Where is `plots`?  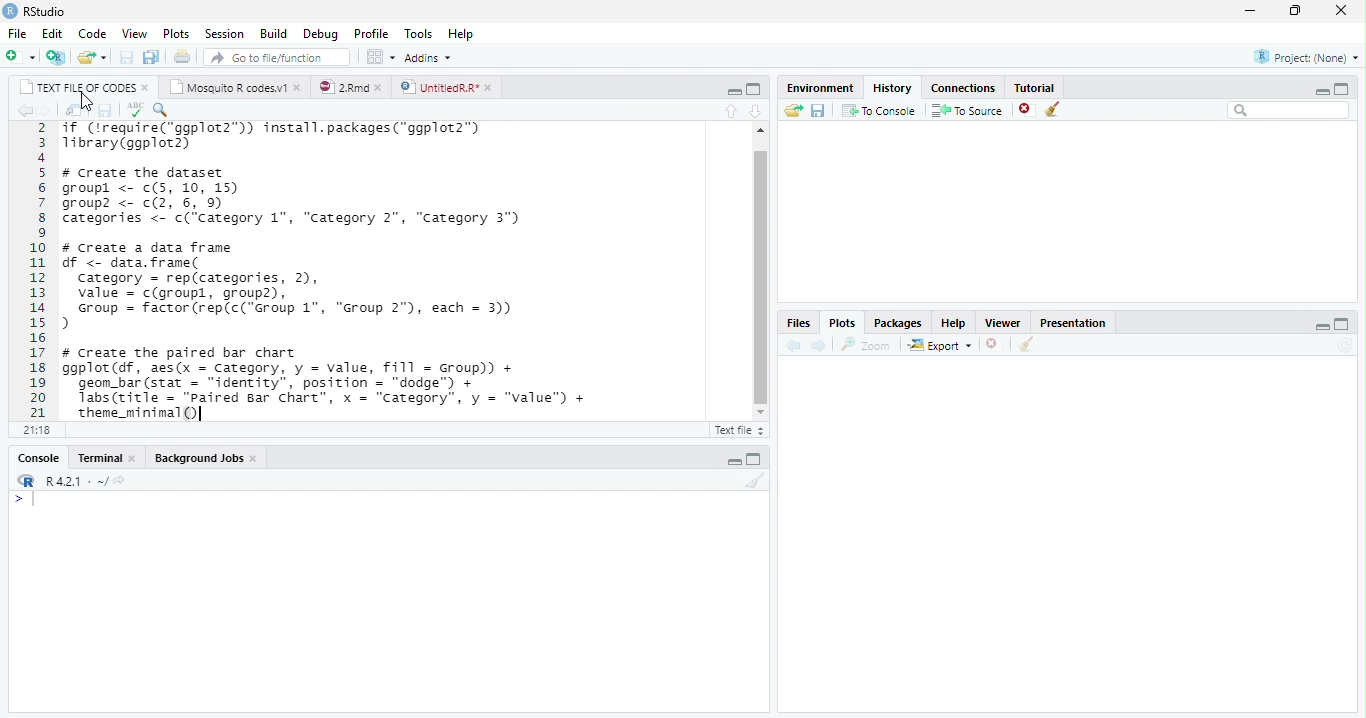
plots is located at coordinates (174, 32).